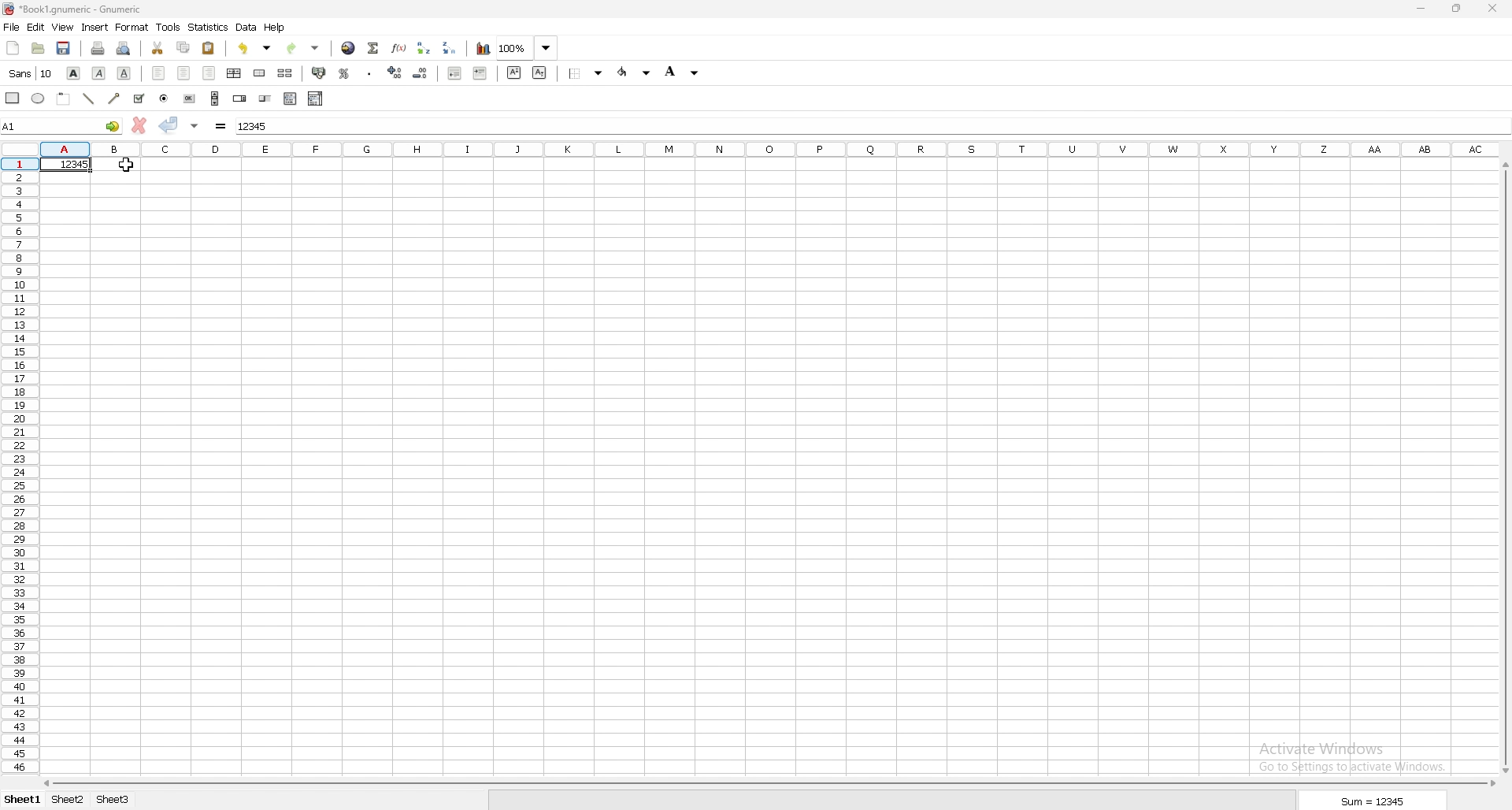 Image resolution: width=1512 pixels, height=810 pixels. What do you see at coordinates (397, 72) in the screenshot?
I see `increase decimals` at bounding box center [397, 72].